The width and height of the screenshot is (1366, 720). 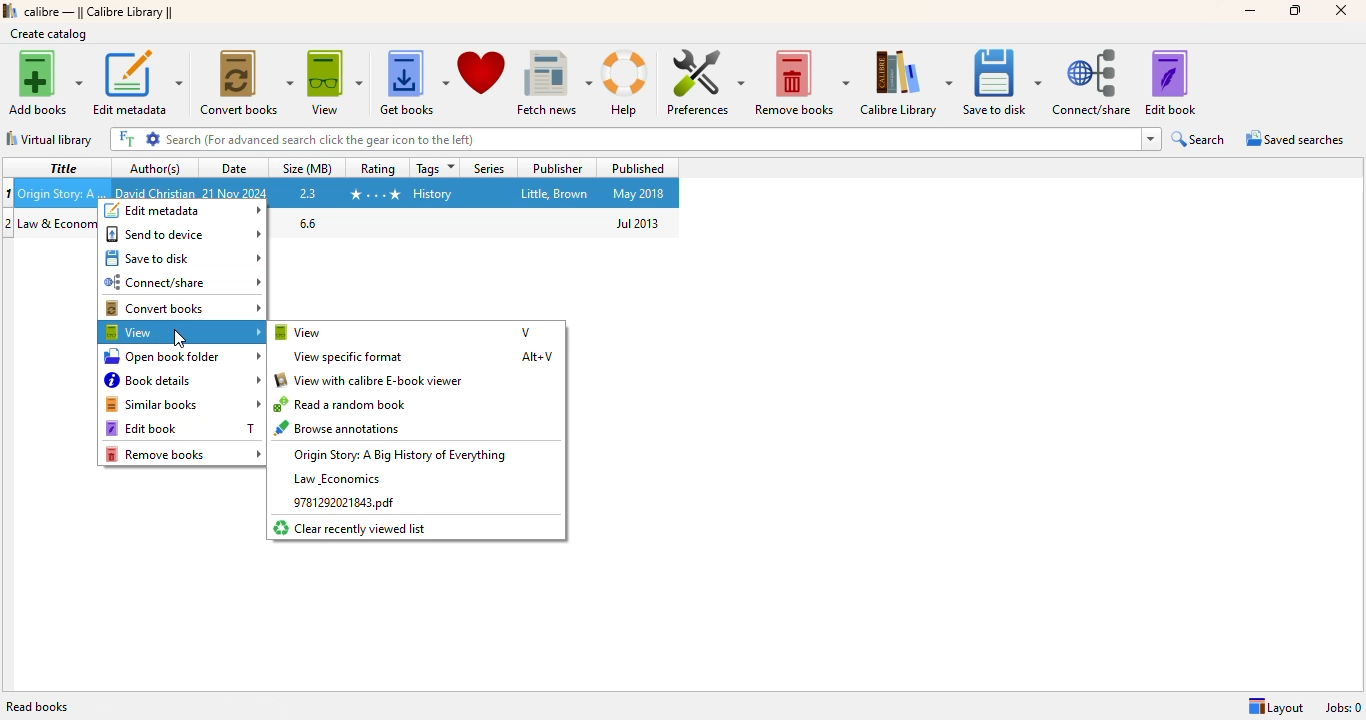 What do you see at coordinates (1170, 83) in the screenshot?
I see `edit book` at bounding box center [1170, 83].